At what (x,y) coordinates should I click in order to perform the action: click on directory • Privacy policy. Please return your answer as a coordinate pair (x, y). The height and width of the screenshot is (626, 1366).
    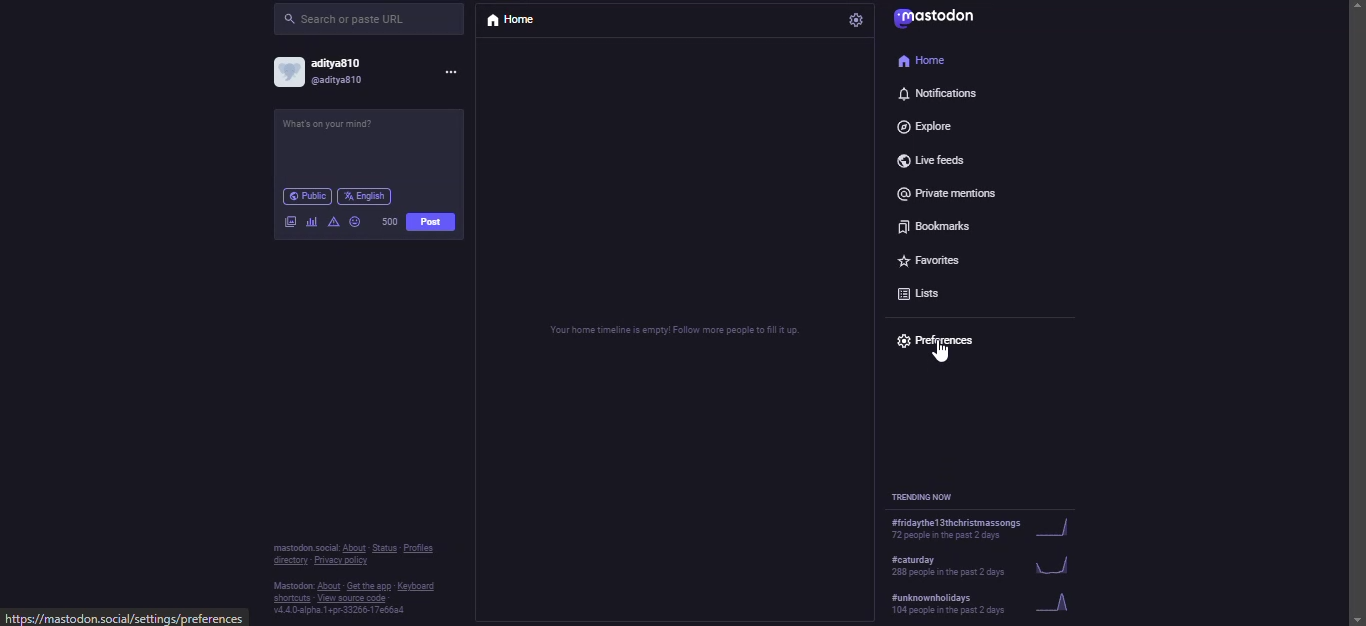
    Looking at the image, I should click on (321, 562).